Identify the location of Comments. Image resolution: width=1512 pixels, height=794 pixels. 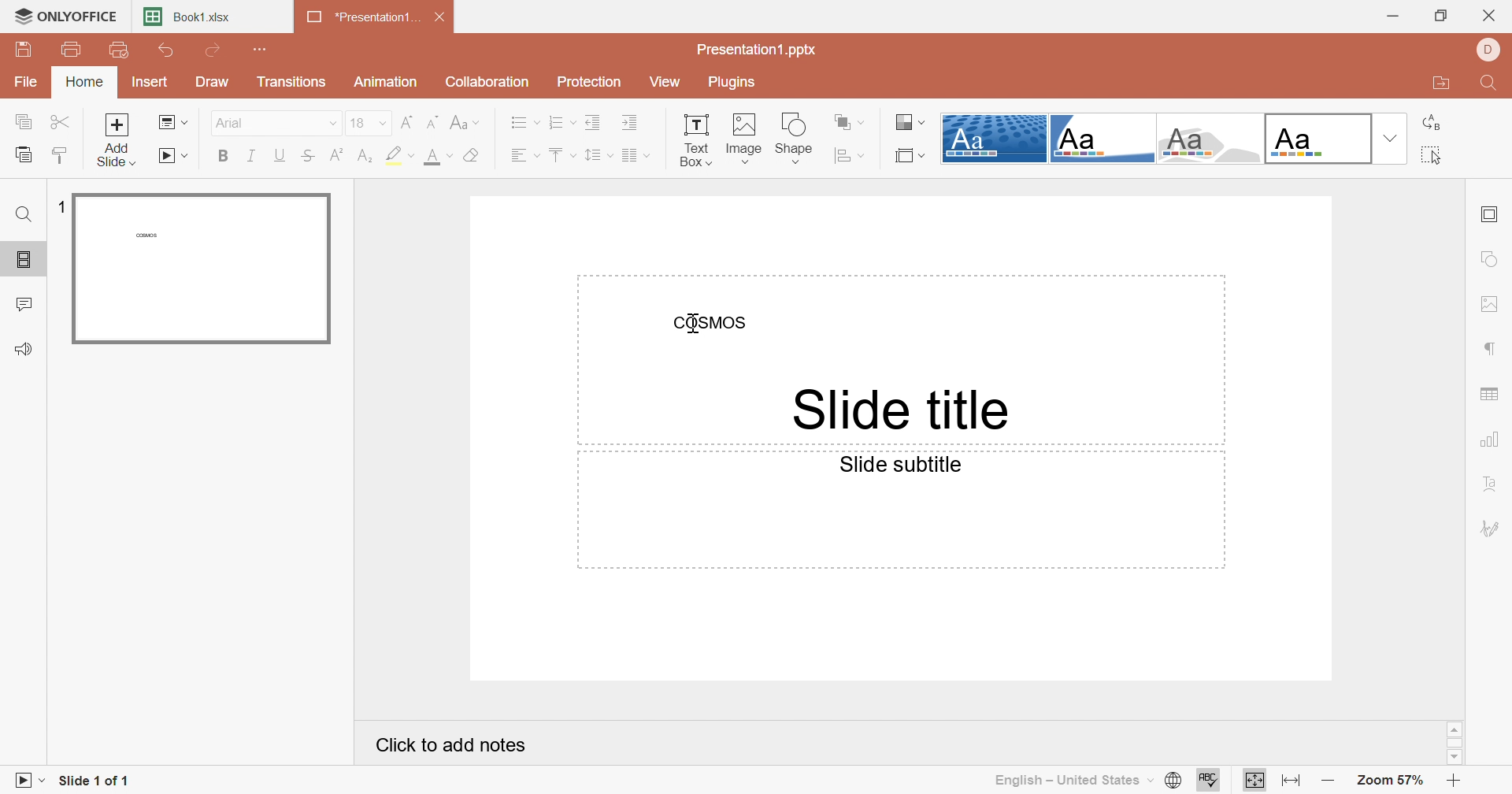
(22, 302).